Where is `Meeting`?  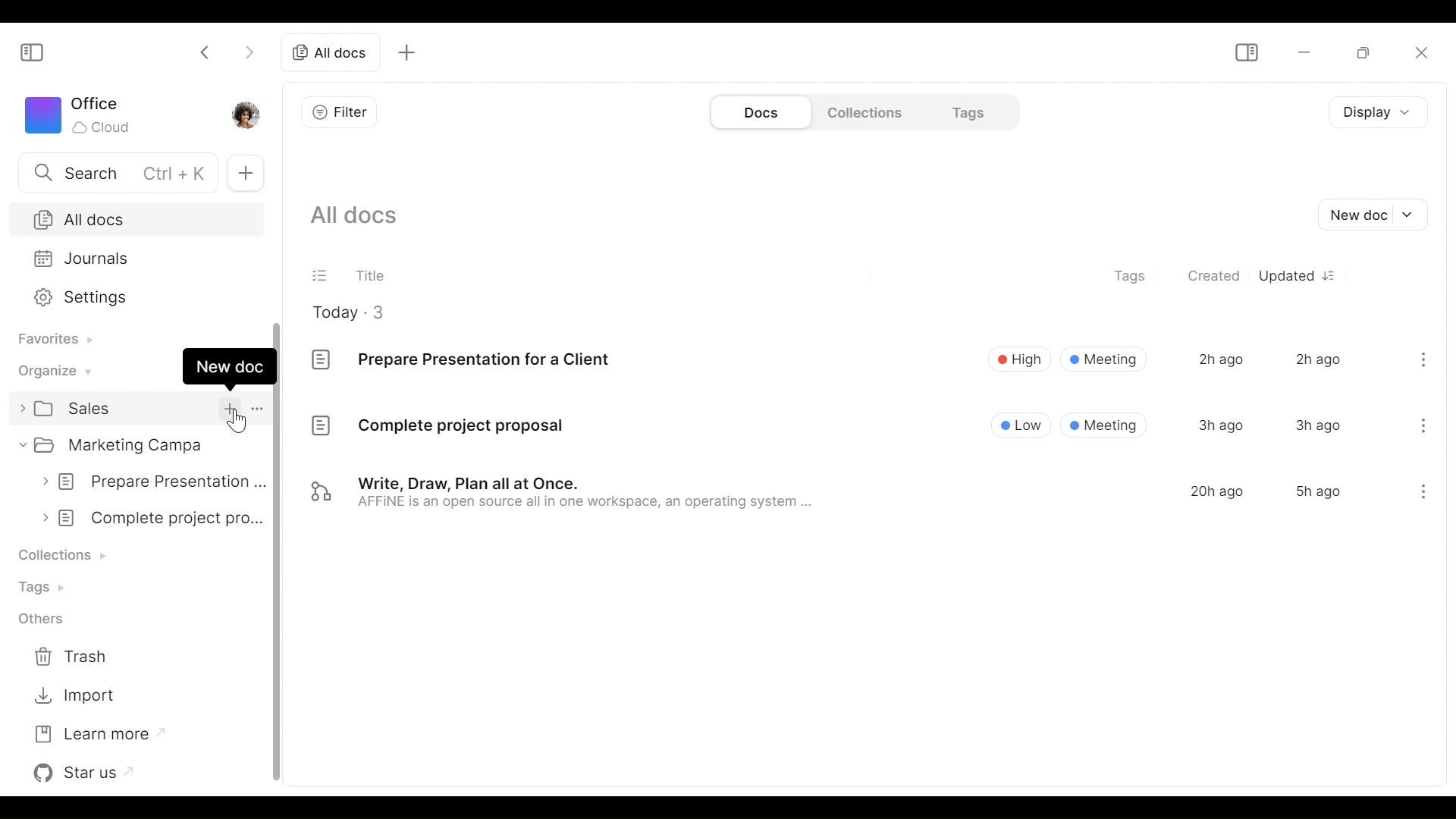 Meeting is located at coordinates (1104, 359).